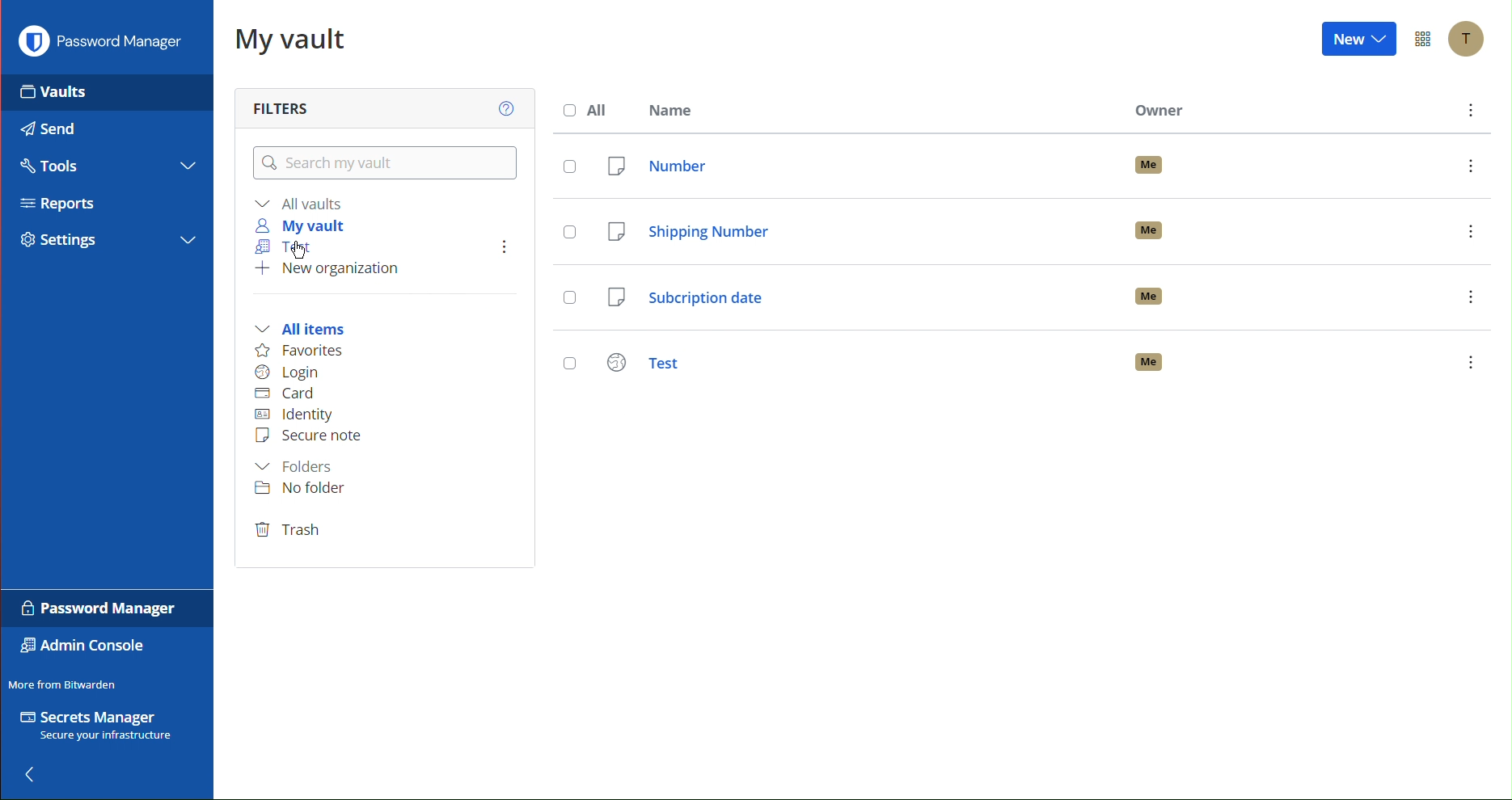 The height and width of the screenshot is (800, 1512). What do you see at coordinates (293, 36) in the screenshot?
I see `My vault` at bounding box center [293, 36].